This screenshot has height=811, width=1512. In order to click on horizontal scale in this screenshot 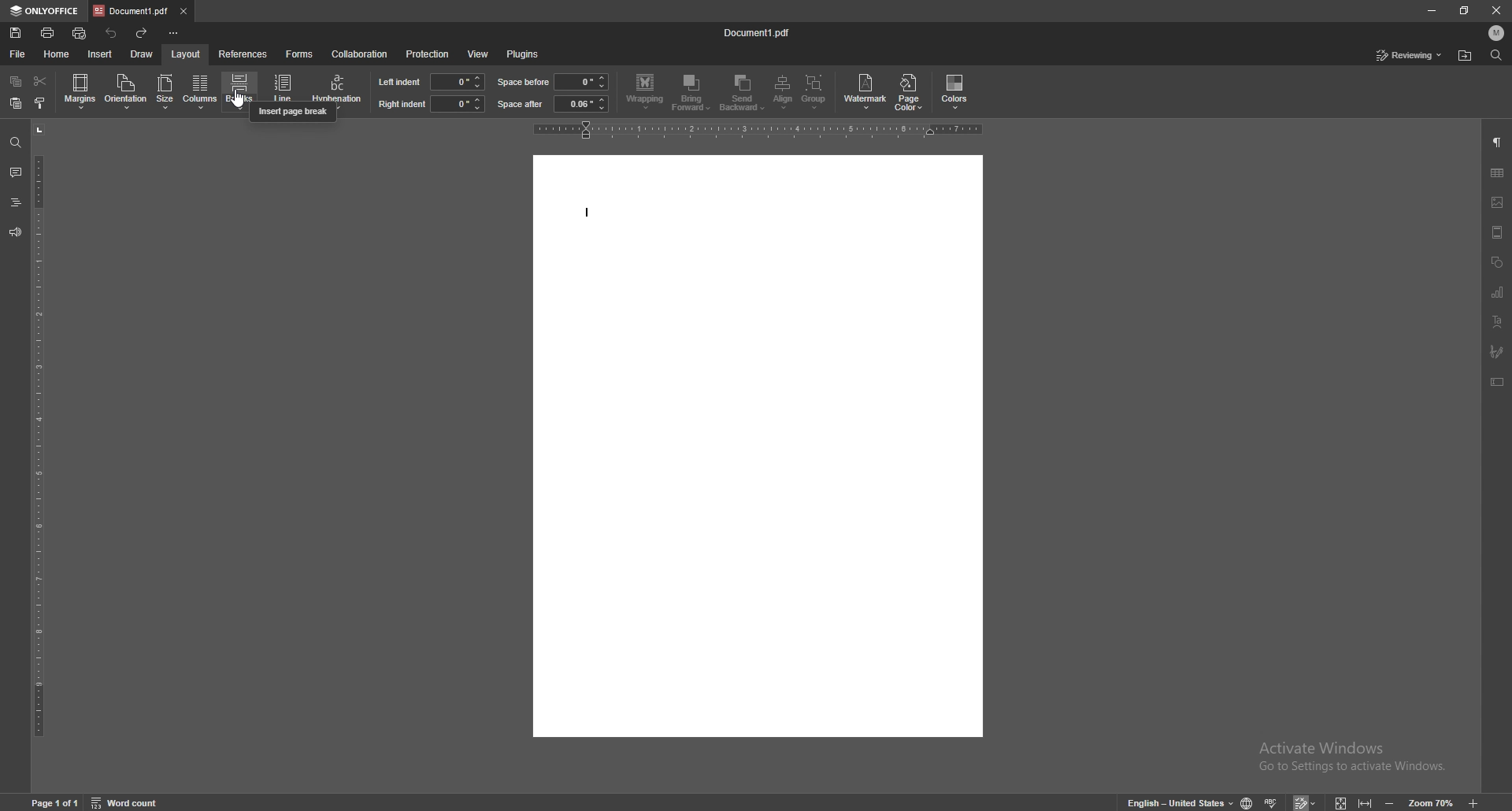, I will do `click(758, 131)`.